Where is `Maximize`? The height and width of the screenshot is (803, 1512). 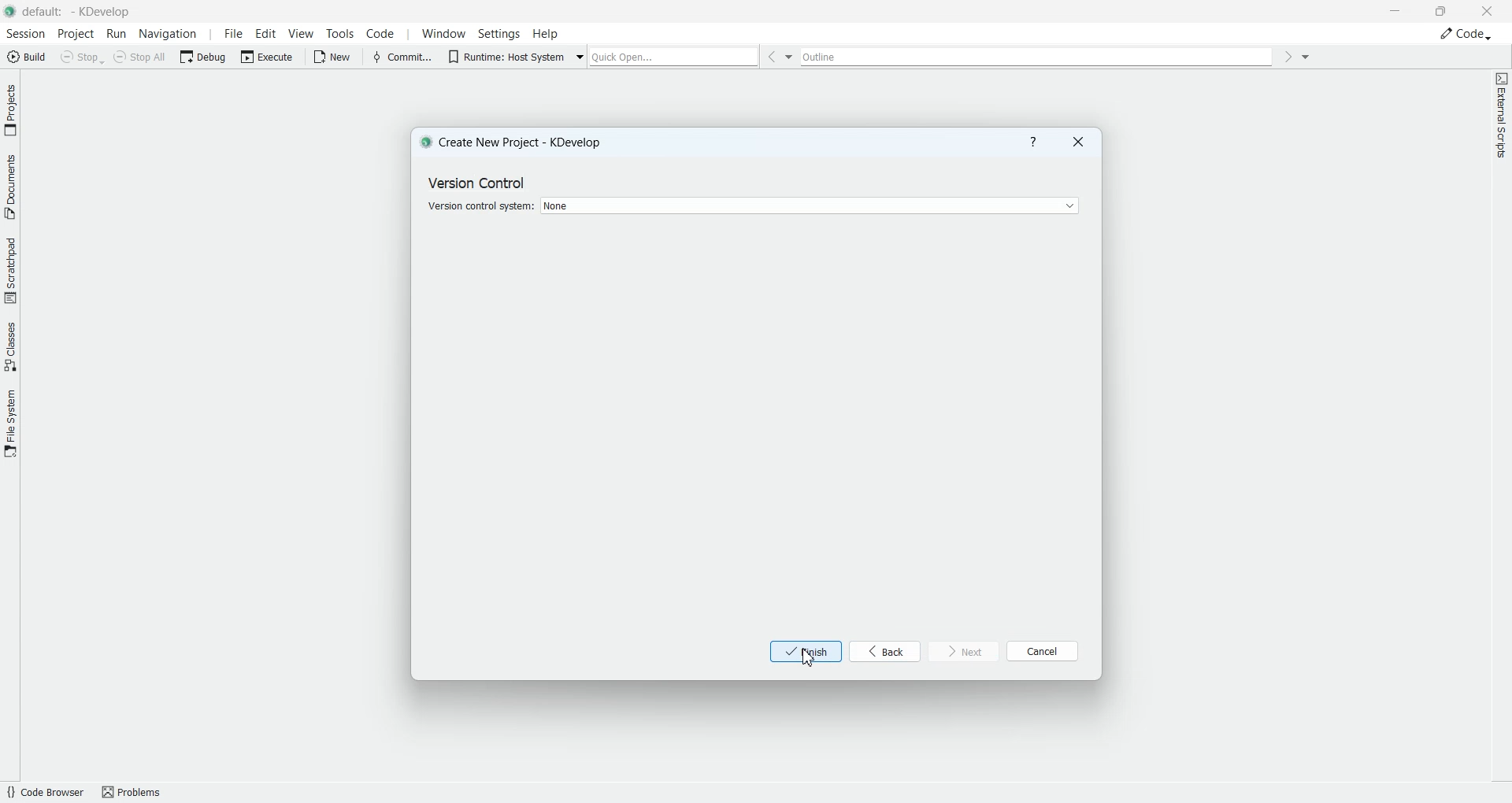
Maximize is located at coordinates (1442, 9).